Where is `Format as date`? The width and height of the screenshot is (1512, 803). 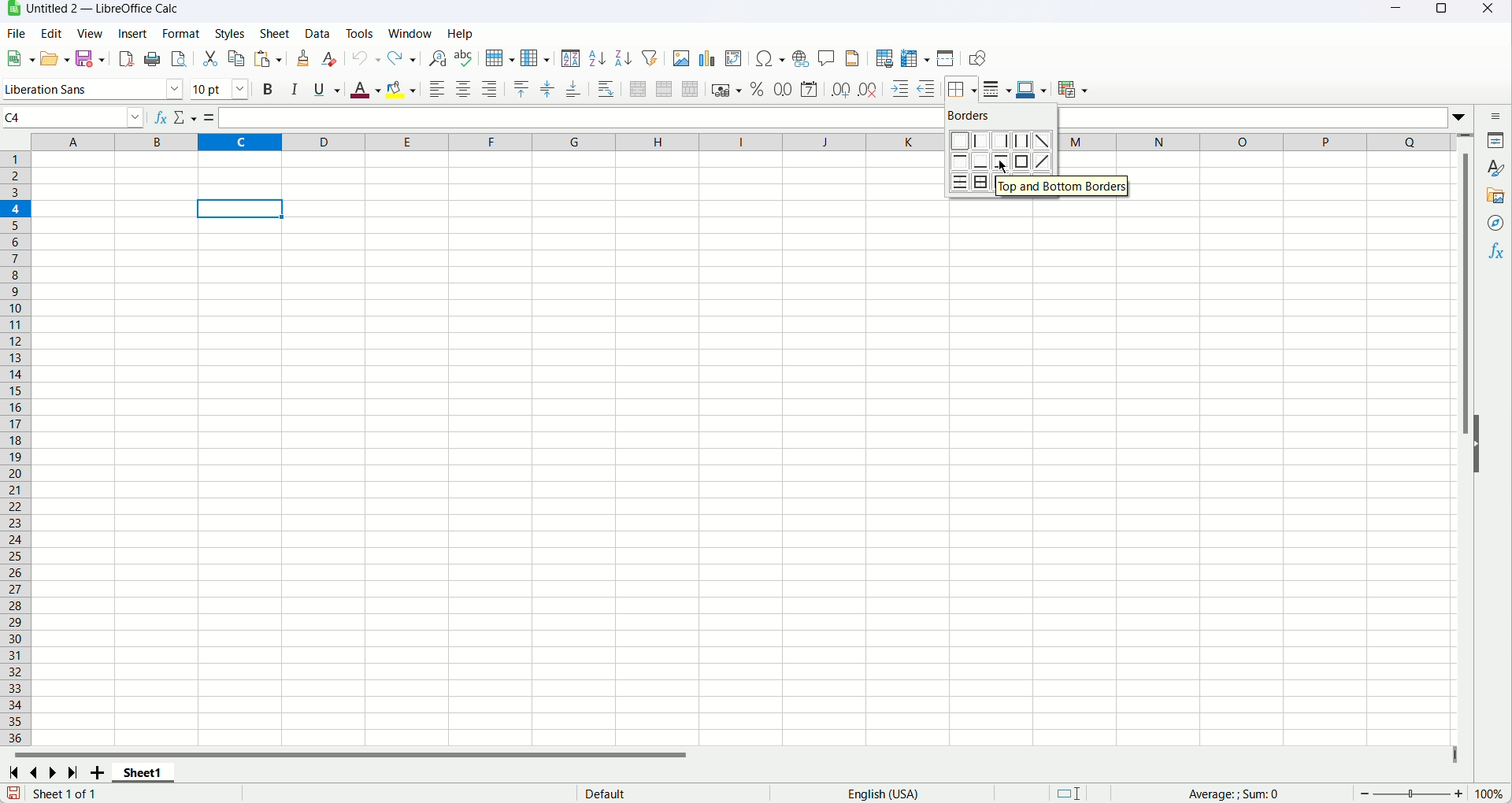 Format as date is located at coordinates (808, 89).